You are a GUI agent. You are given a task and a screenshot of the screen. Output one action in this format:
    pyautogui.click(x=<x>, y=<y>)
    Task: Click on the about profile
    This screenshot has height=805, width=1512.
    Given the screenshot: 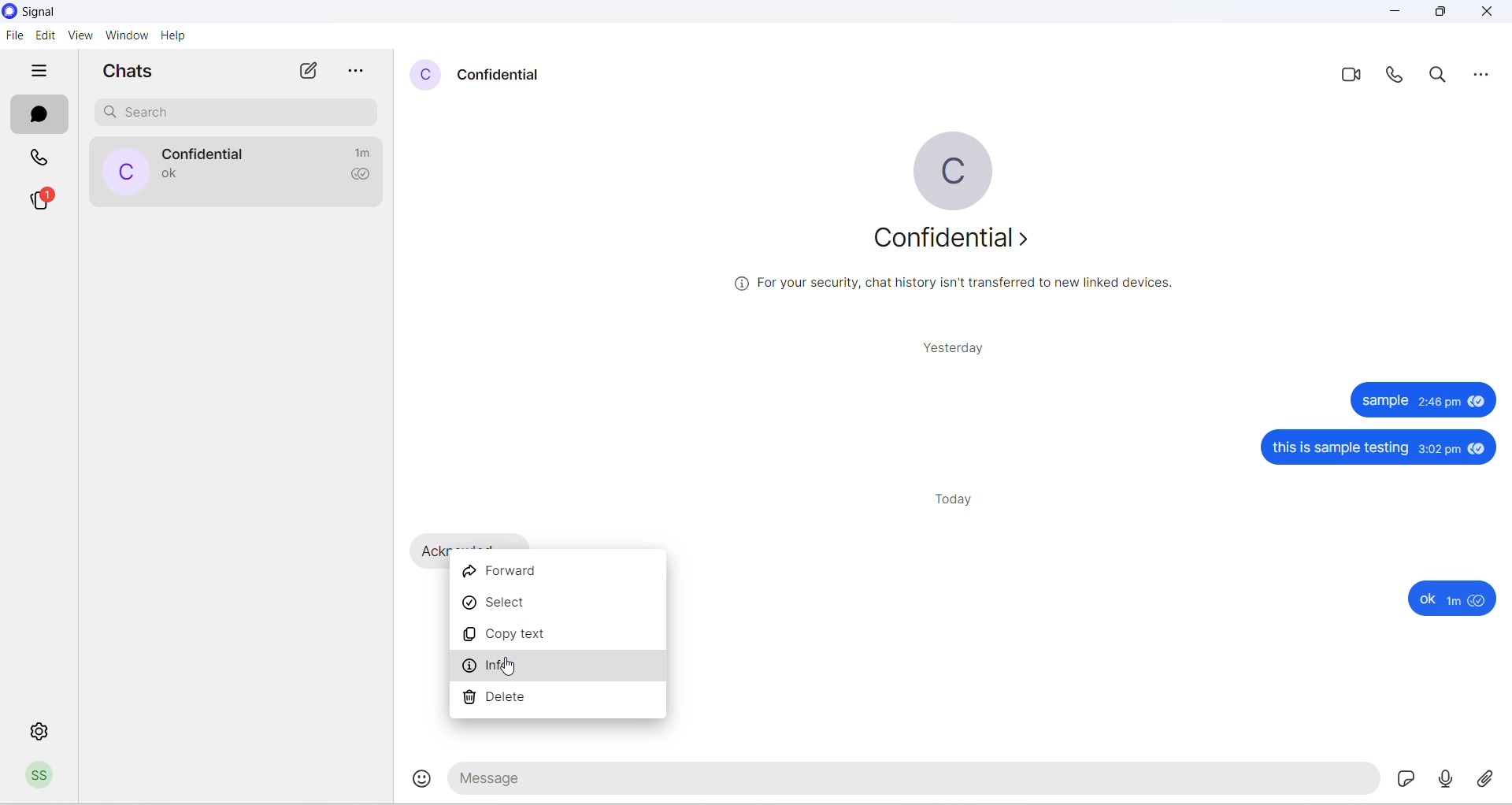 What is the action you would take?
    pyautogui.click(x=956, y=242)
    